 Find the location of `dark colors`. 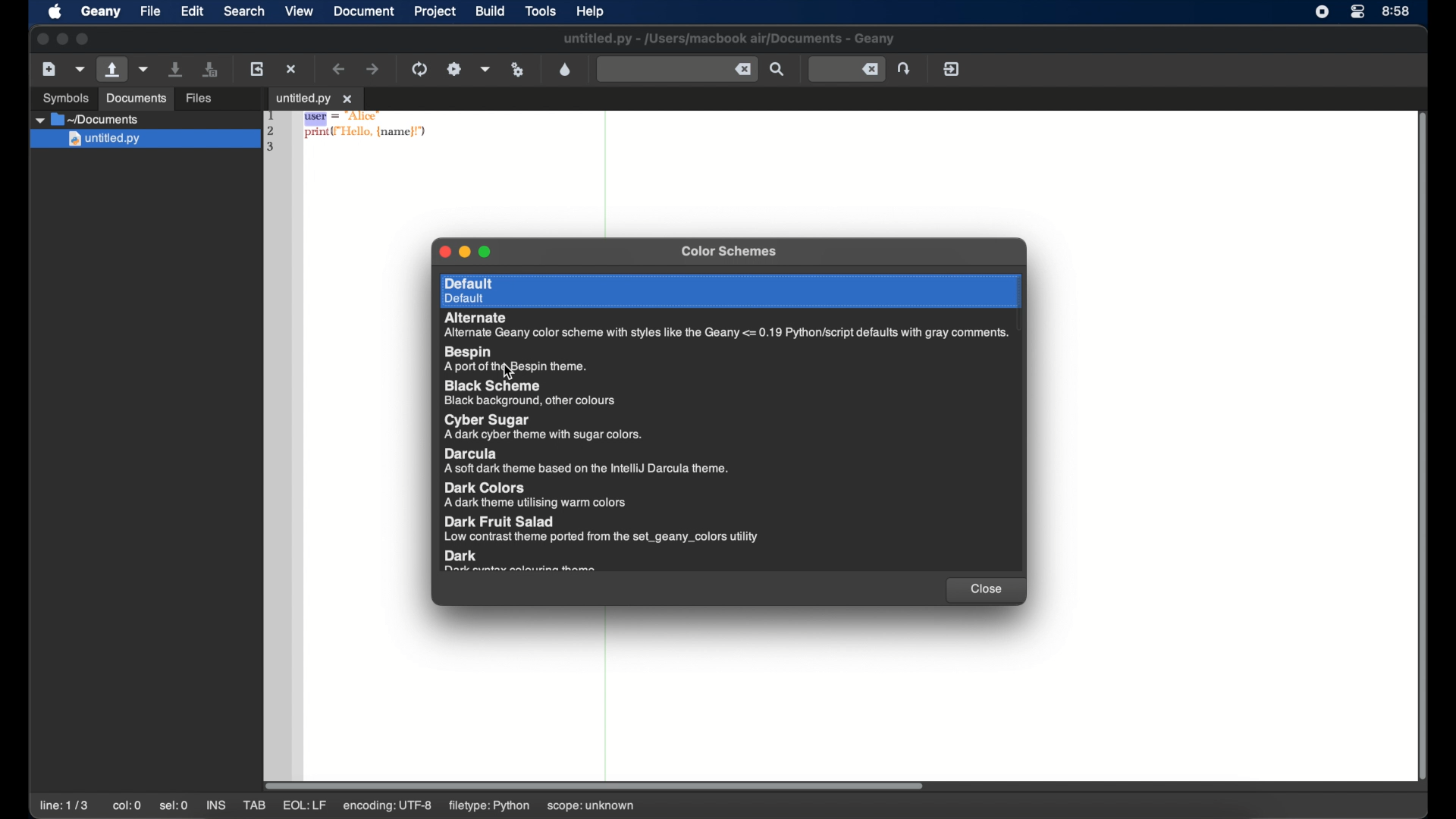

dark colors is located at coordinates (540, 495).